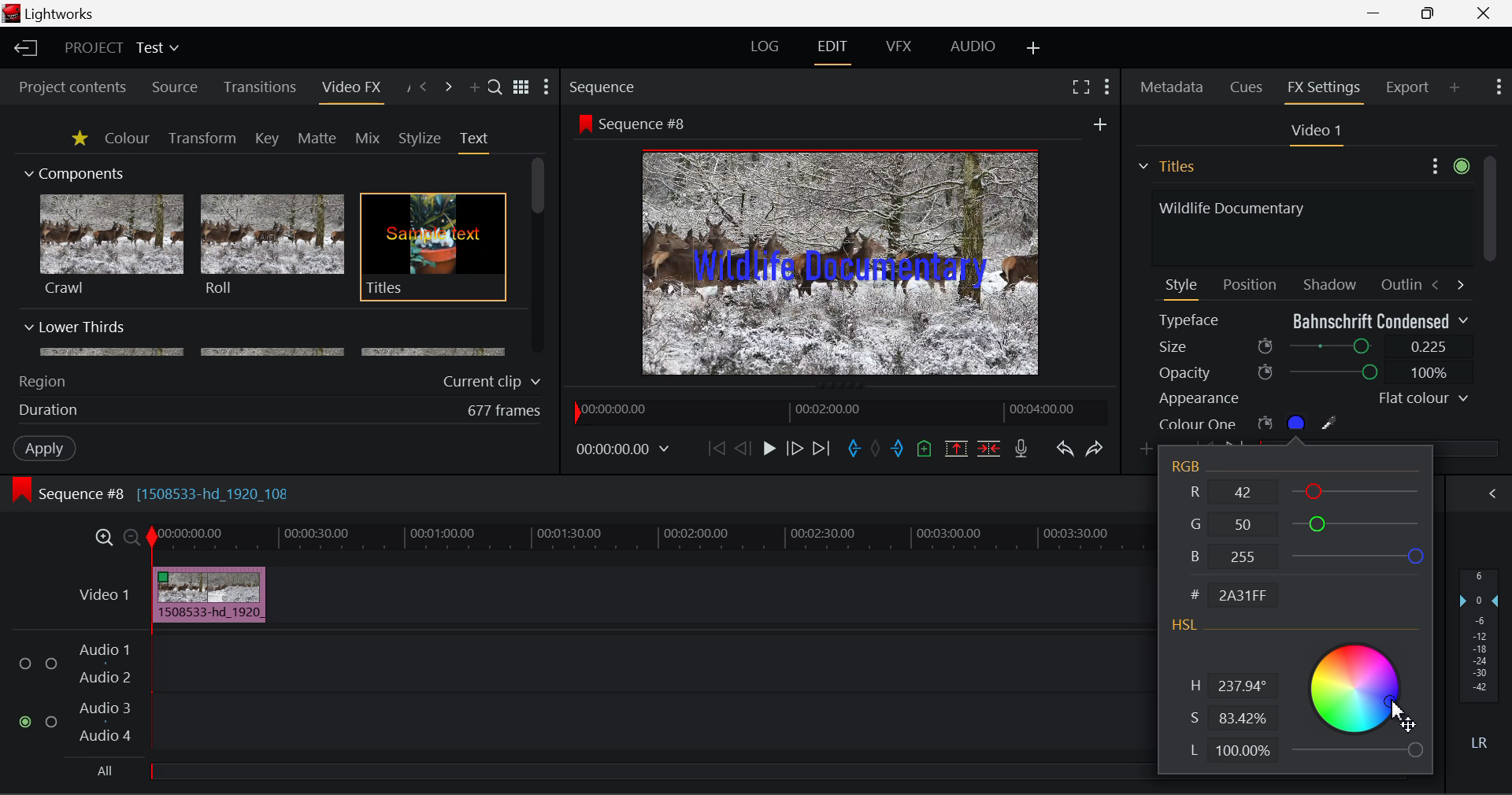 The height and width of the screenshot is (795, 1512). What do you see at coordinates (1021, 452) in the screenshot?
I see `Record Voiceover` at bounding box center [1021, 452].